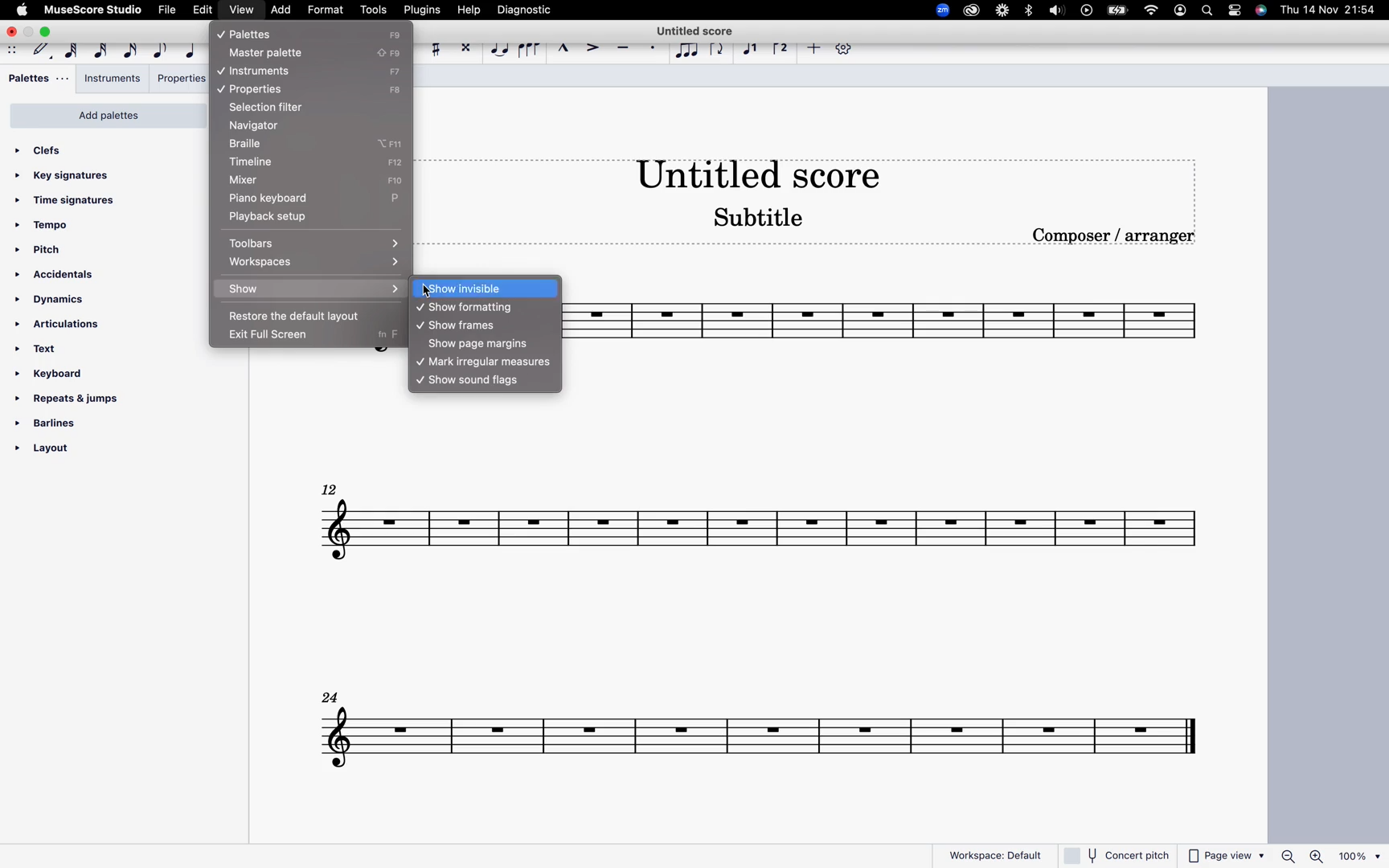 Image resolution: width=1389 pixels, height=868 pixels. What do you see at coordinates (485, 361) in the screenshot?
I see `mark irregular measures` at bounding box center [485, 361].